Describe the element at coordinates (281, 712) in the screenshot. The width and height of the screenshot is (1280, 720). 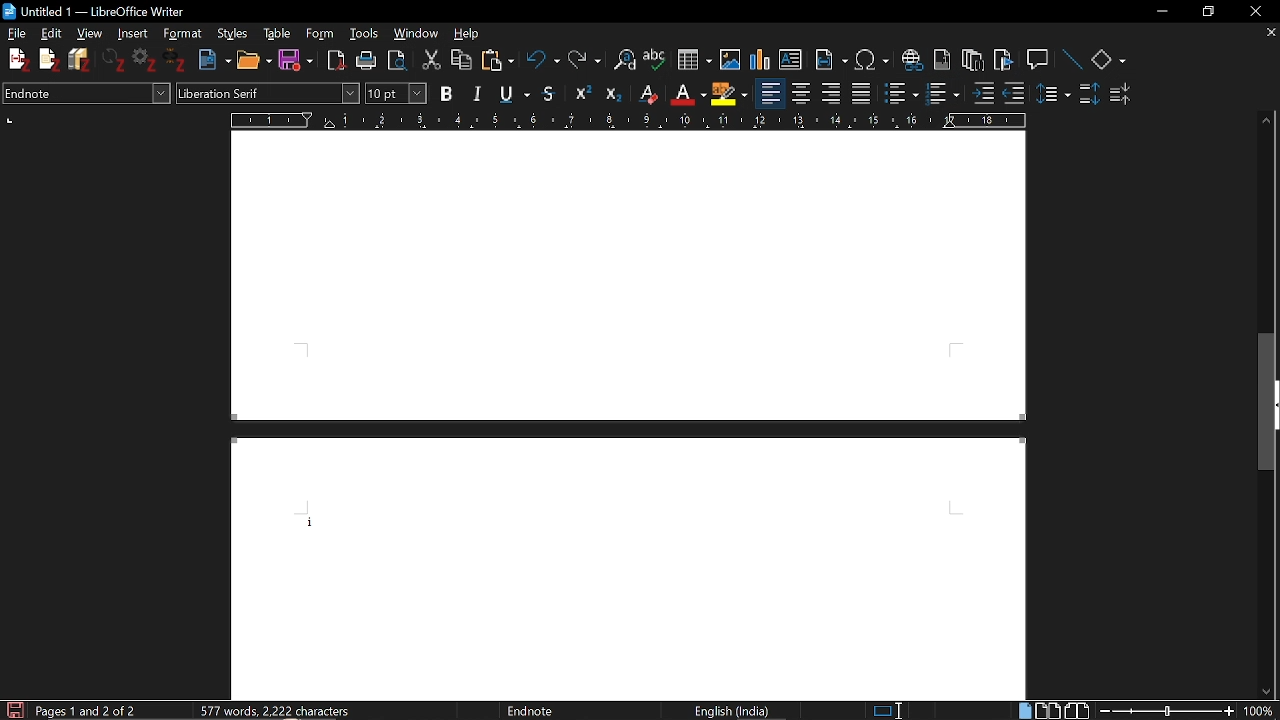
I see `577 Word, 2,222 characters` at that location.